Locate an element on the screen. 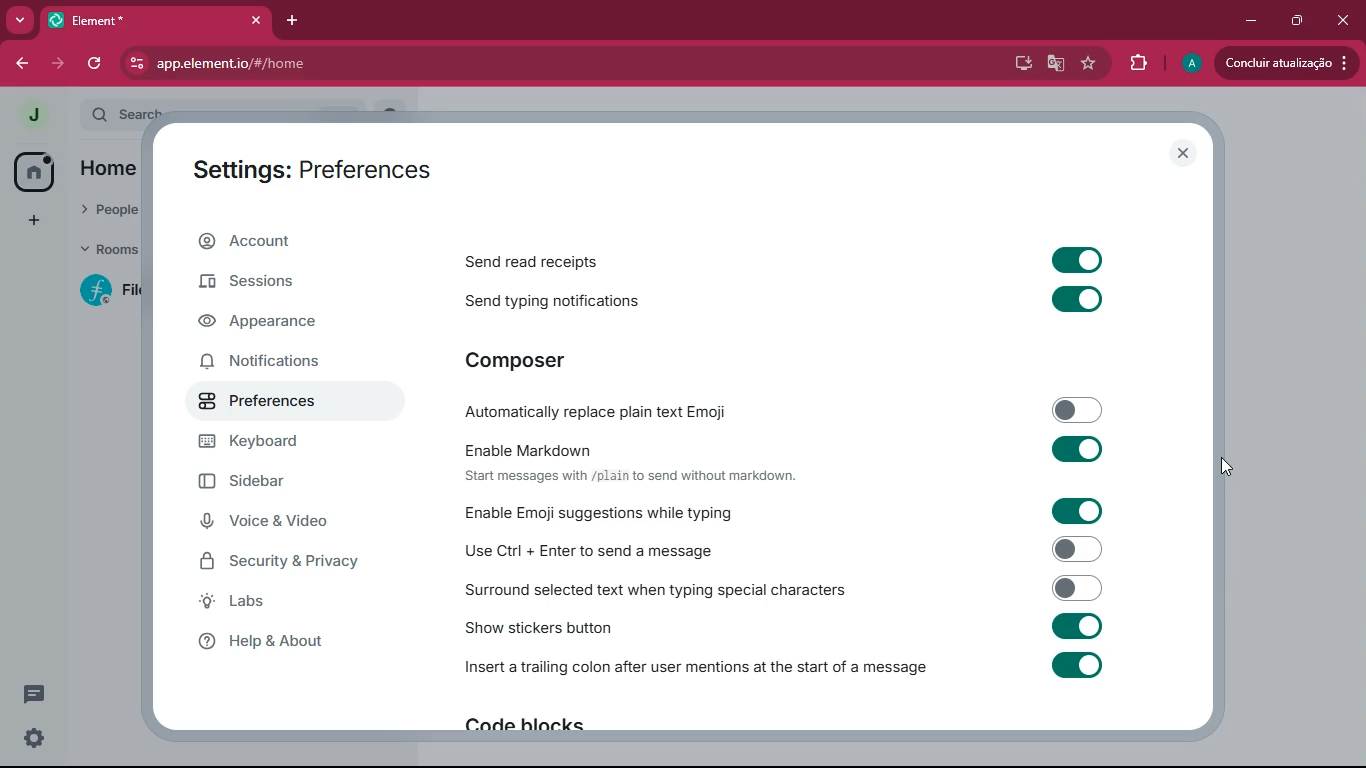  conduir atualizacao is located at coordinates (1285, 61).